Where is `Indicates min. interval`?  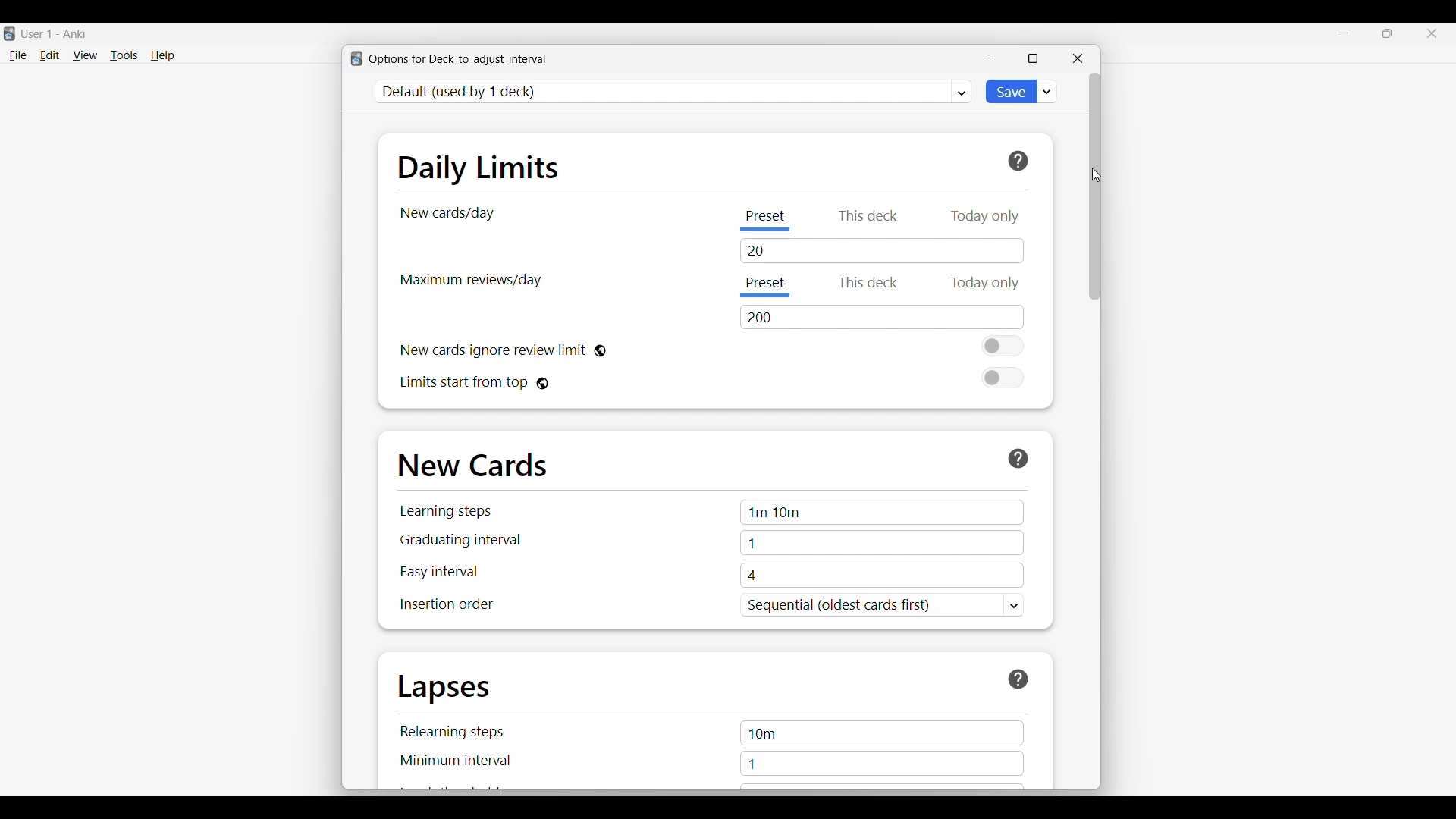
Indicates min. interval is located at coordinates (457, 761).